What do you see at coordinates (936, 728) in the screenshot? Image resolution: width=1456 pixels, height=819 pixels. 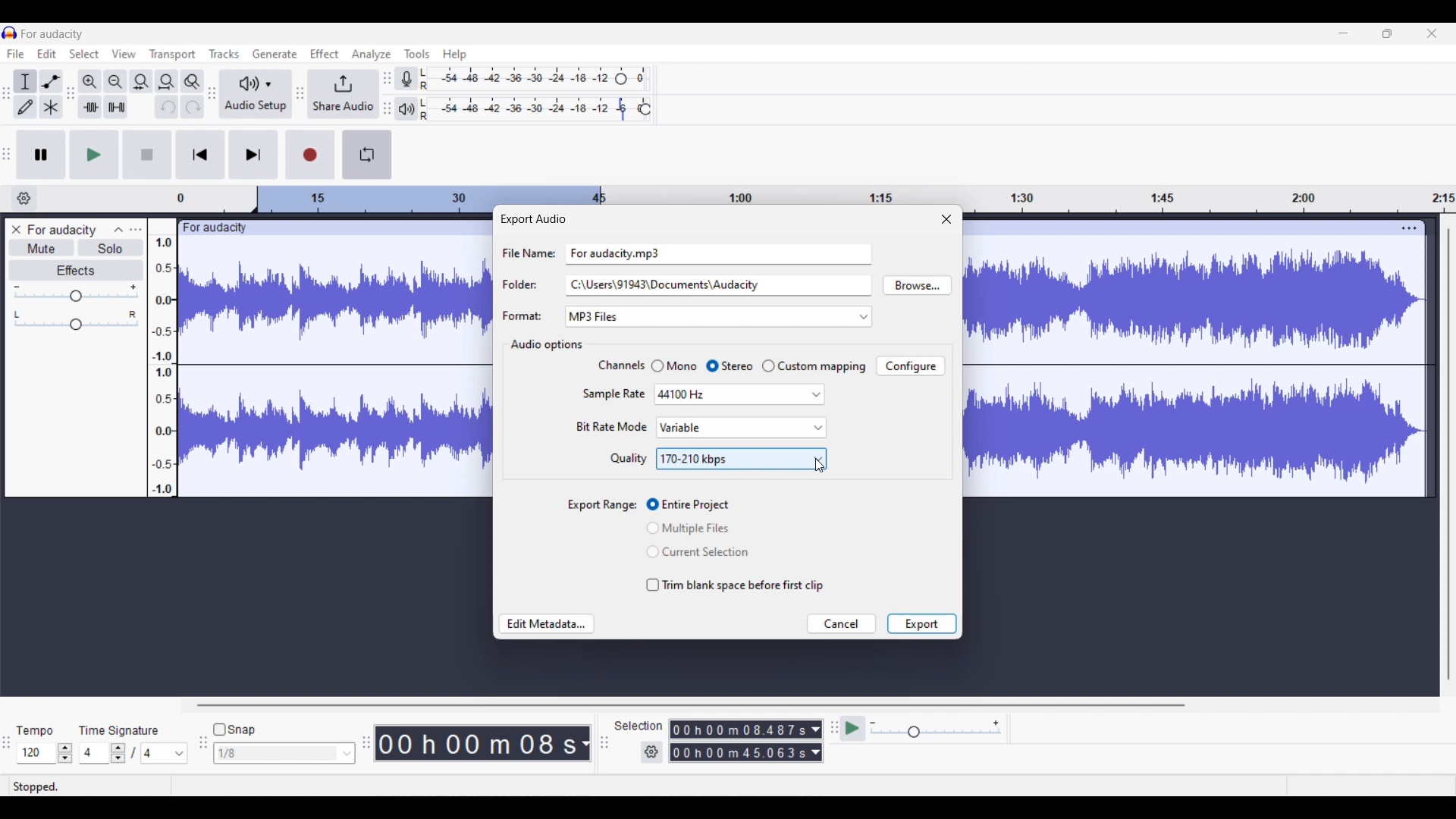 I see `Playback speed scale` at bounding box center [936, 728].